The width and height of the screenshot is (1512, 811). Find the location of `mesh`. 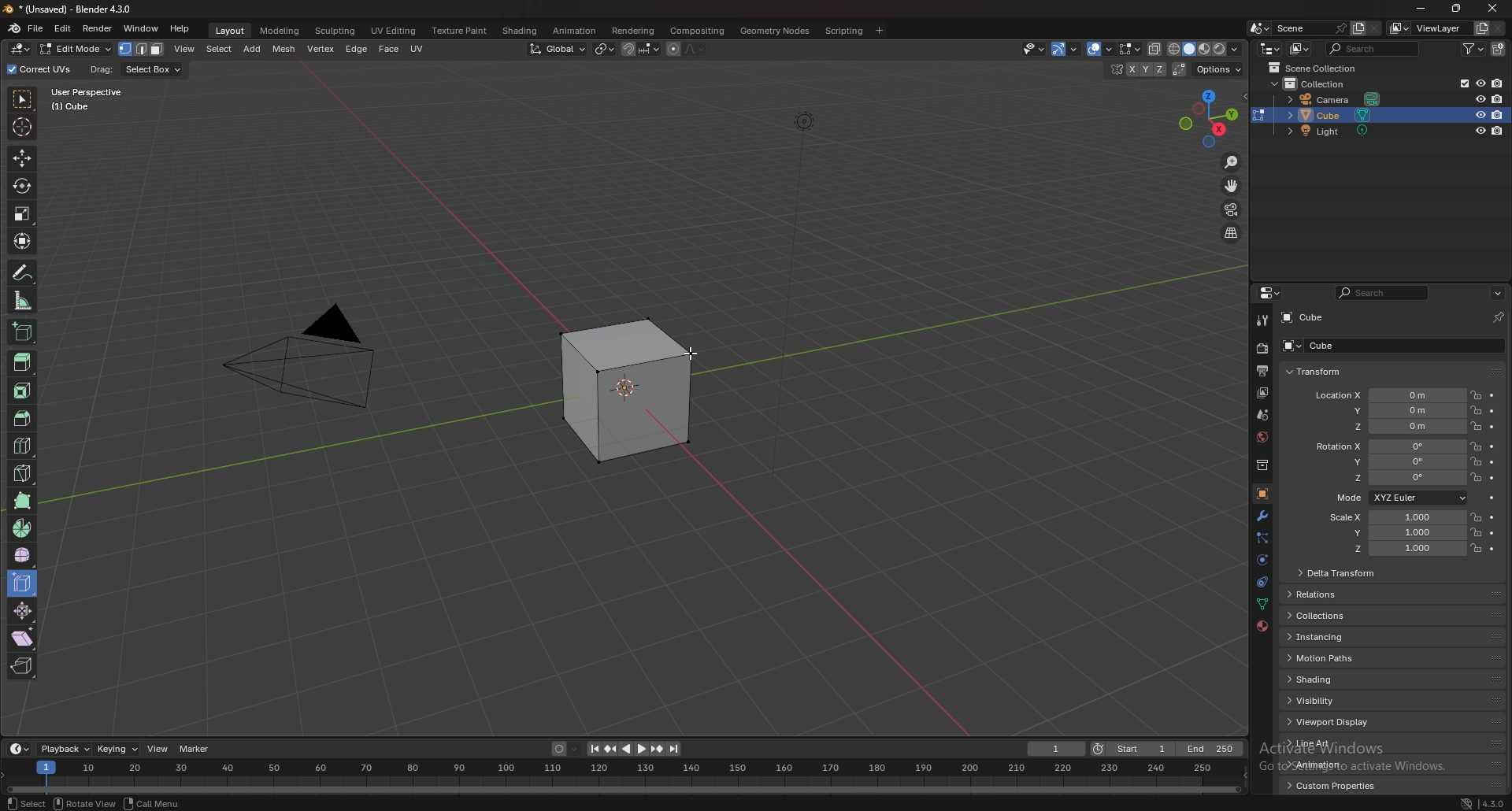

mesh is located at coordinates (284, 50).